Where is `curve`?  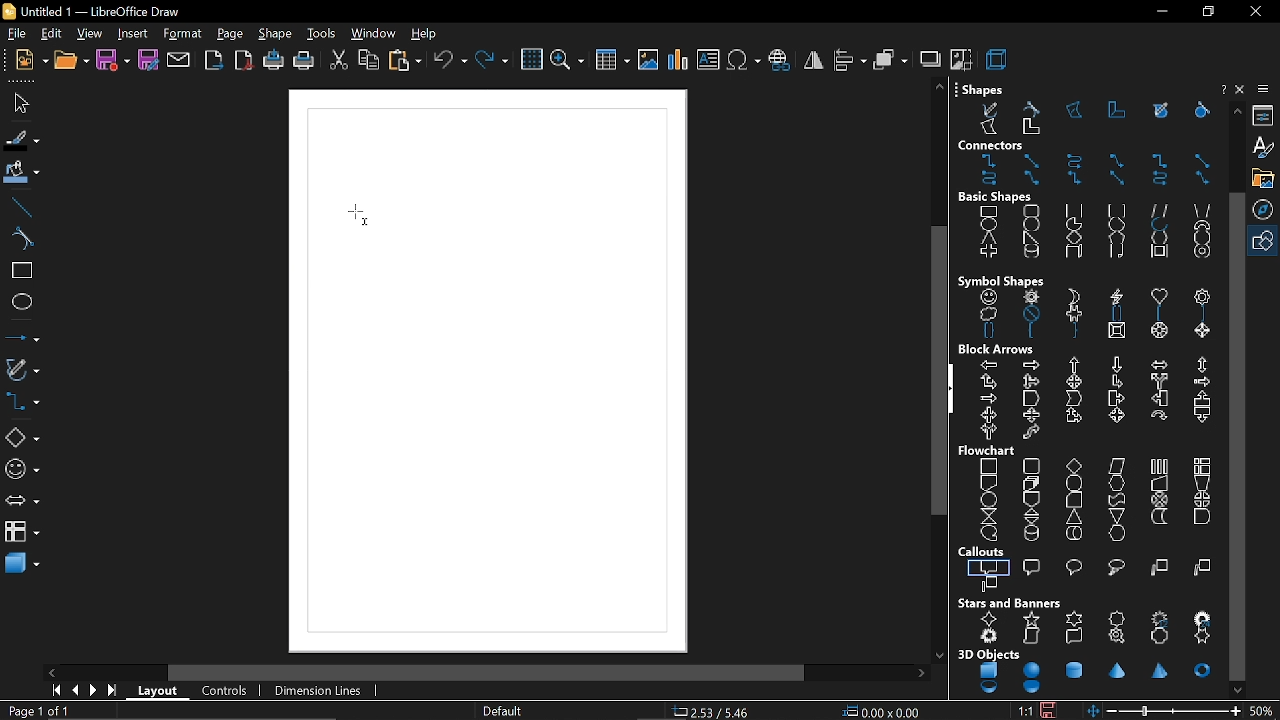
curve is located at coordinates (18, 237).